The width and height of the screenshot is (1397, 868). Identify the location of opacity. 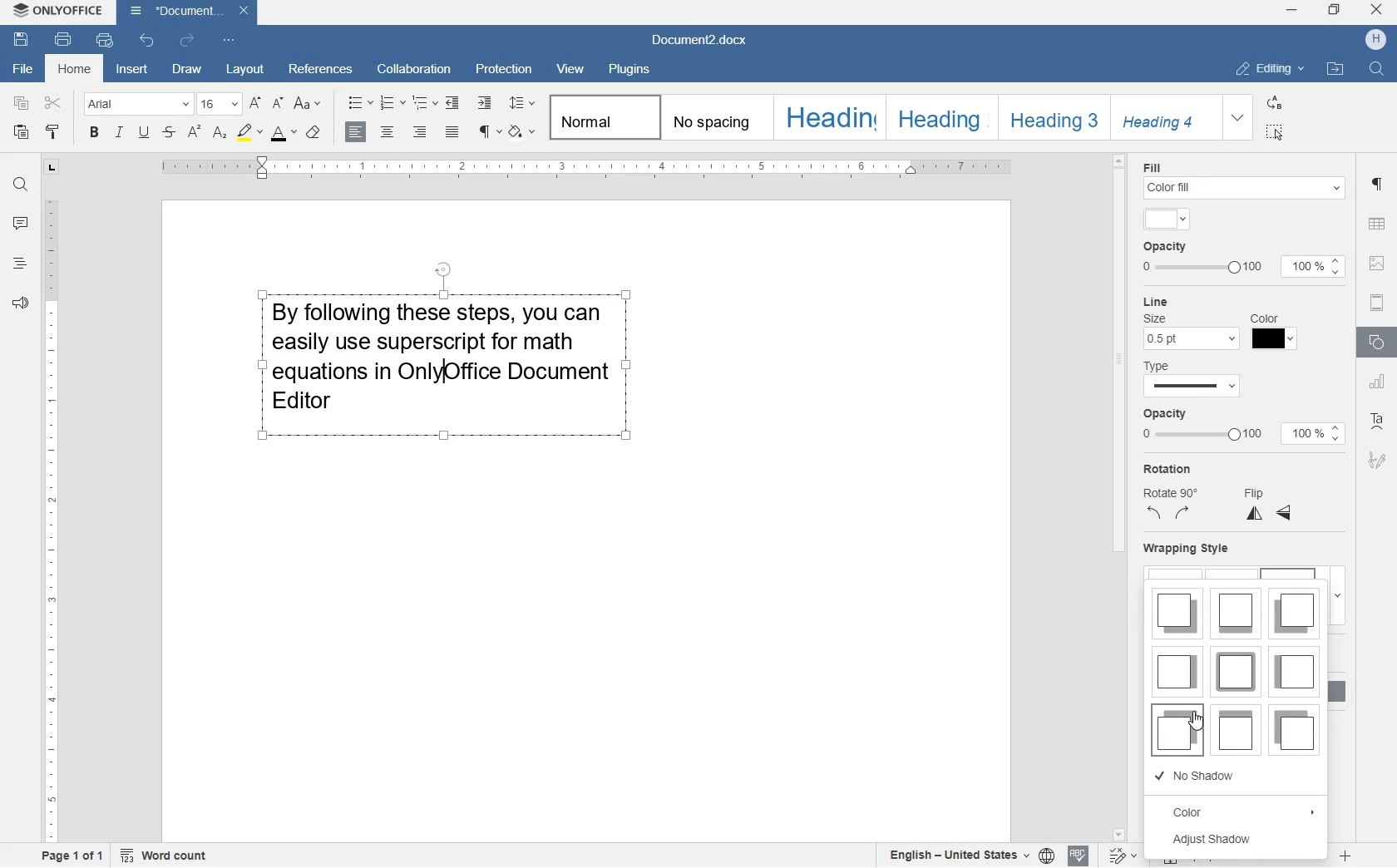
(1199, 426).